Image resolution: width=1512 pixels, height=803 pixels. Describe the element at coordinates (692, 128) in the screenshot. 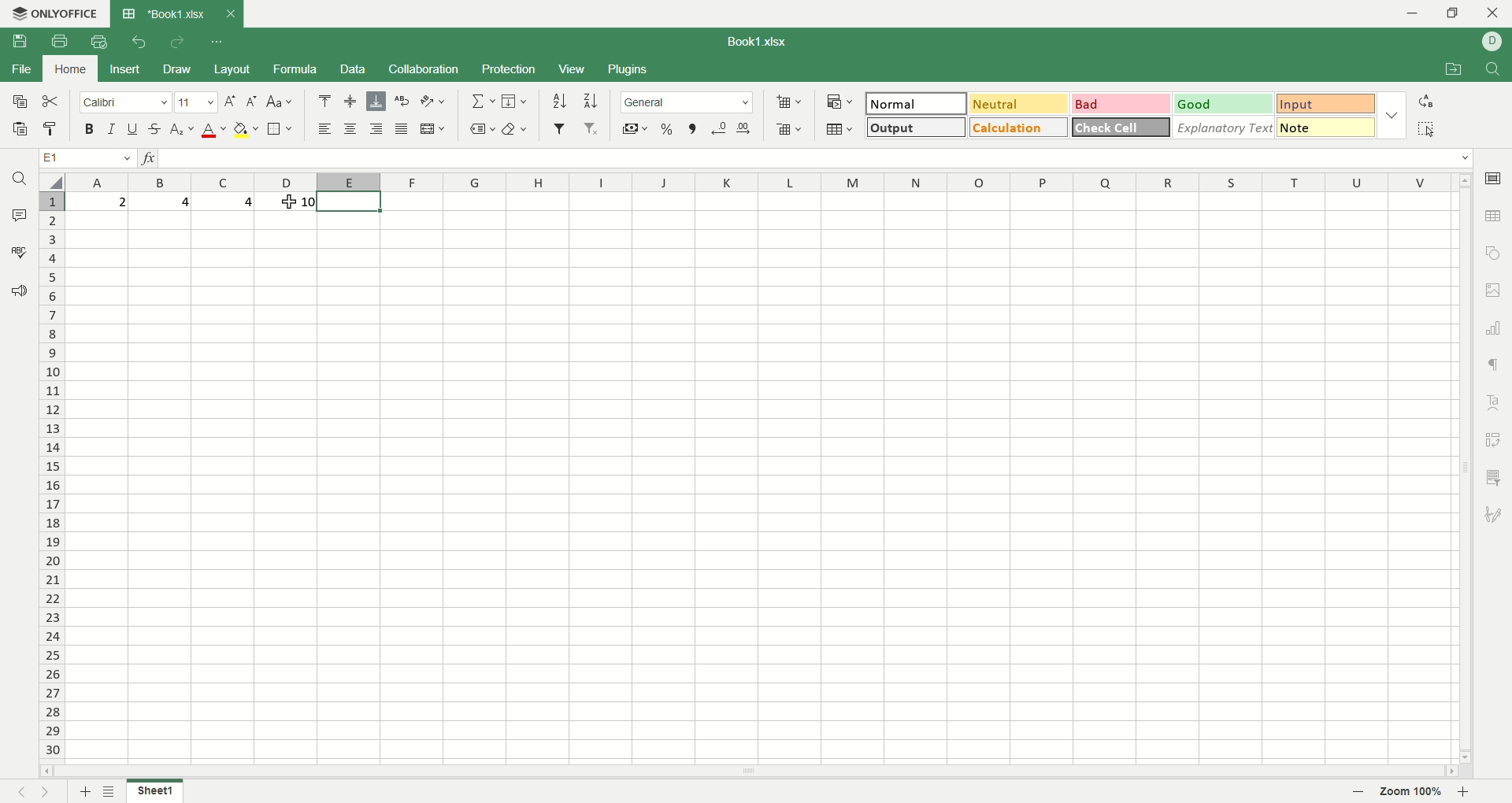

I see `comma style` at that location.